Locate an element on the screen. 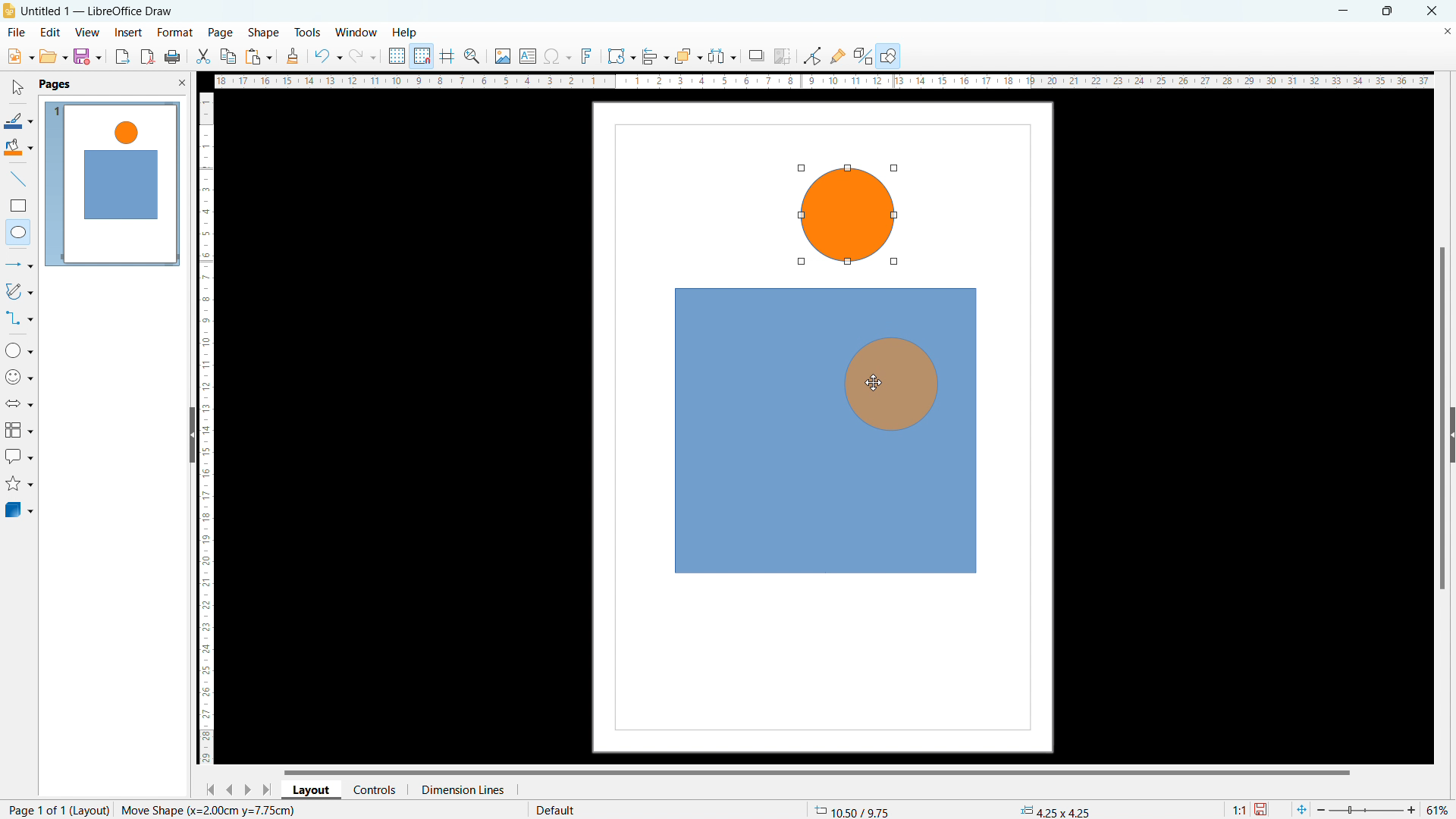 This screenshot has height=819, width=1456. cursor is located at coordinates (874, 384).